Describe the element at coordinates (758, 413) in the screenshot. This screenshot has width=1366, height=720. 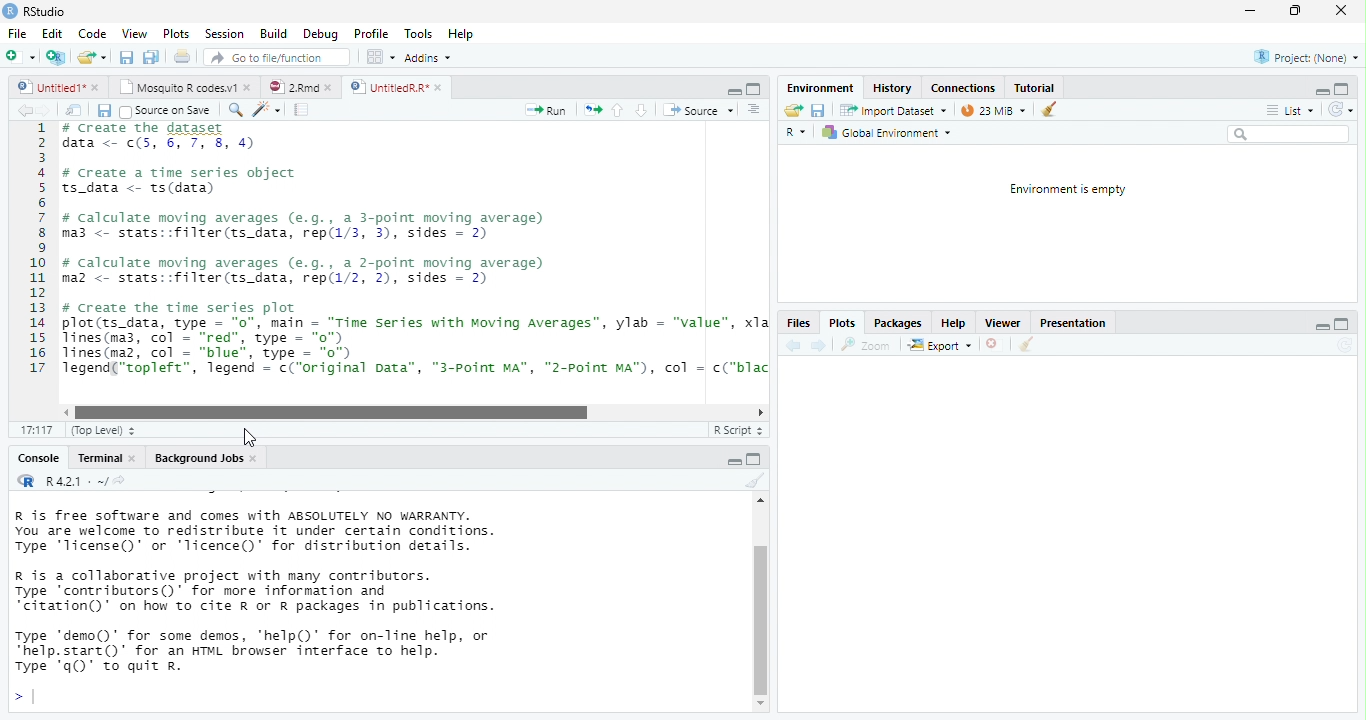
I see `scrollbar right` at that location.